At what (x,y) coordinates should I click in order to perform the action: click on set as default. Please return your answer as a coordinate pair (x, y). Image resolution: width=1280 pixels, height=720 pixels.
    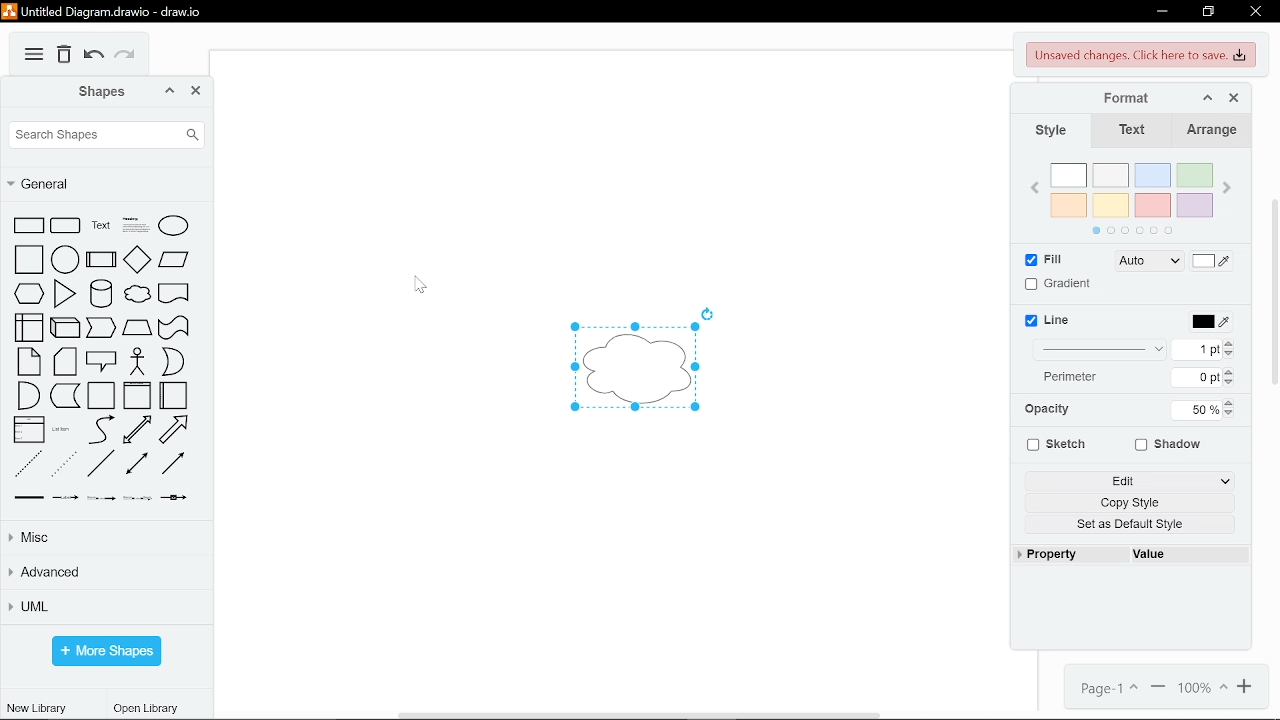
    Looking at the image, I should click on (1130, 523).